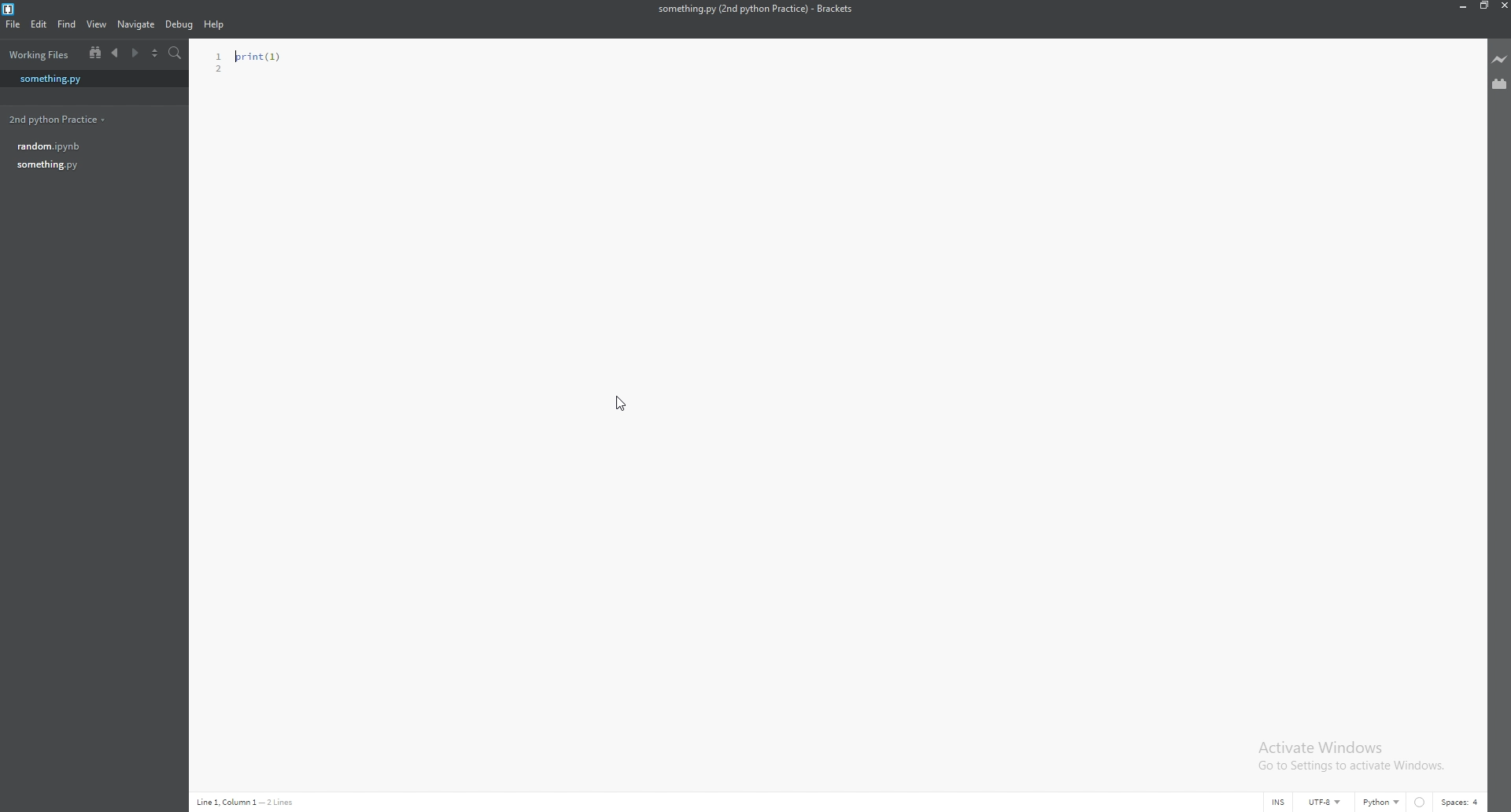 The image size is (1511, 812). What do you see at coordinates (1420, 803) in the screenshot?
I see `linter` at bounding box center [1420, 803].